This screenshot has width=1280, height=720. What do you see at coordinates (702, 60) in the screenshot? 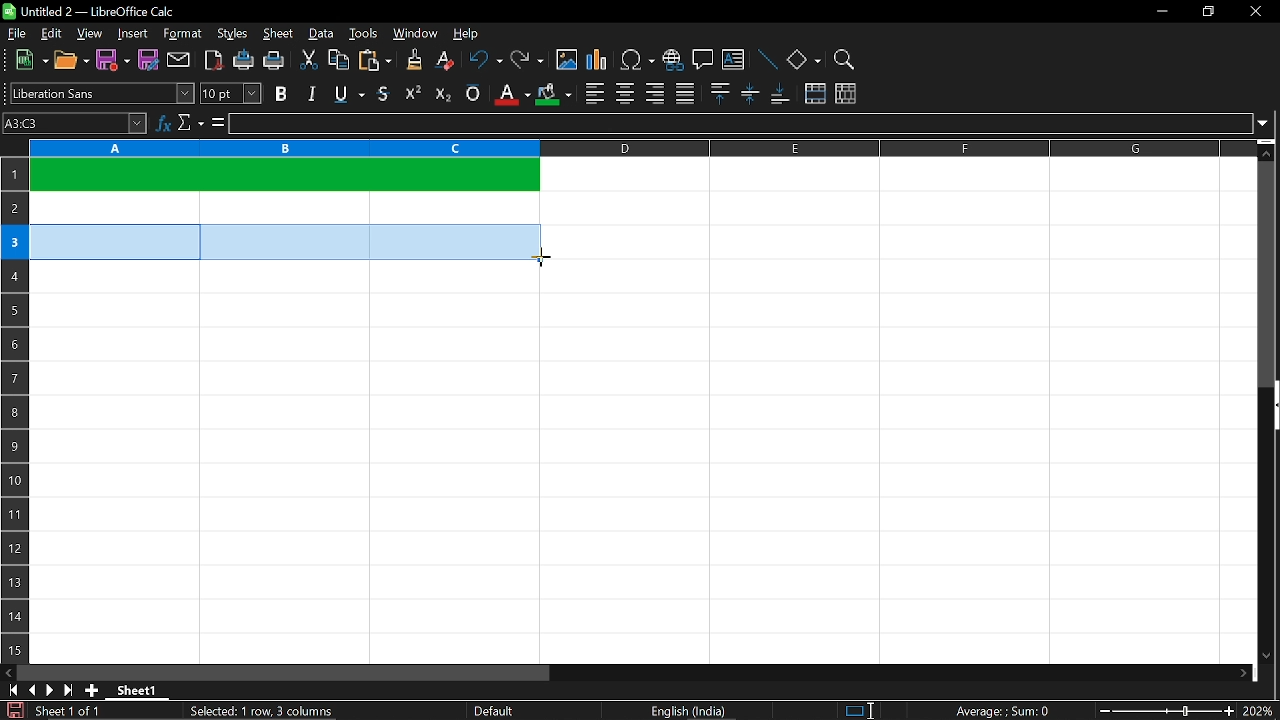
I see `insert comment` at bounding box center [702, 60].